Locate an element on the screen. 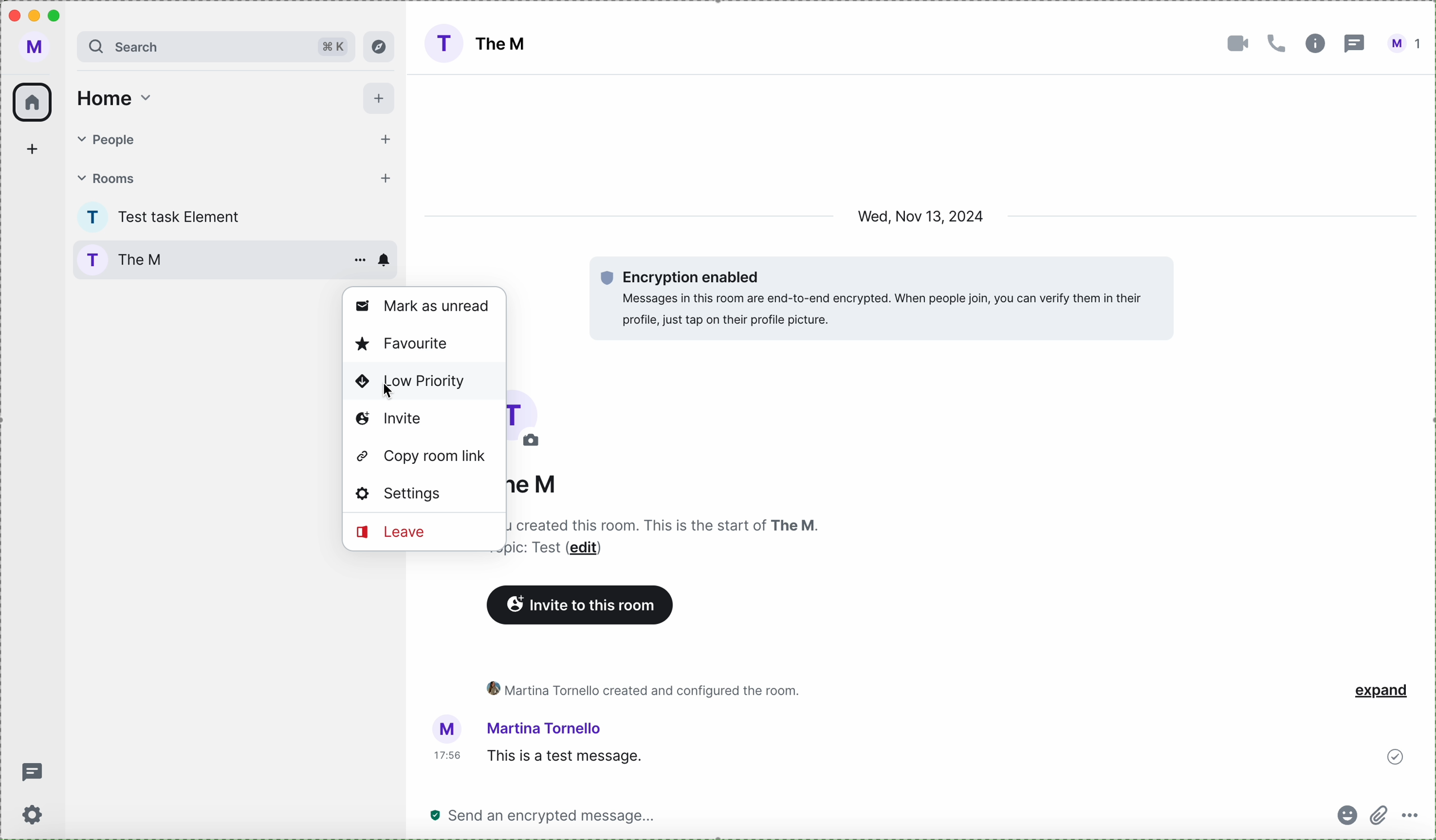  emojis is located at coordinates (1348, 814).